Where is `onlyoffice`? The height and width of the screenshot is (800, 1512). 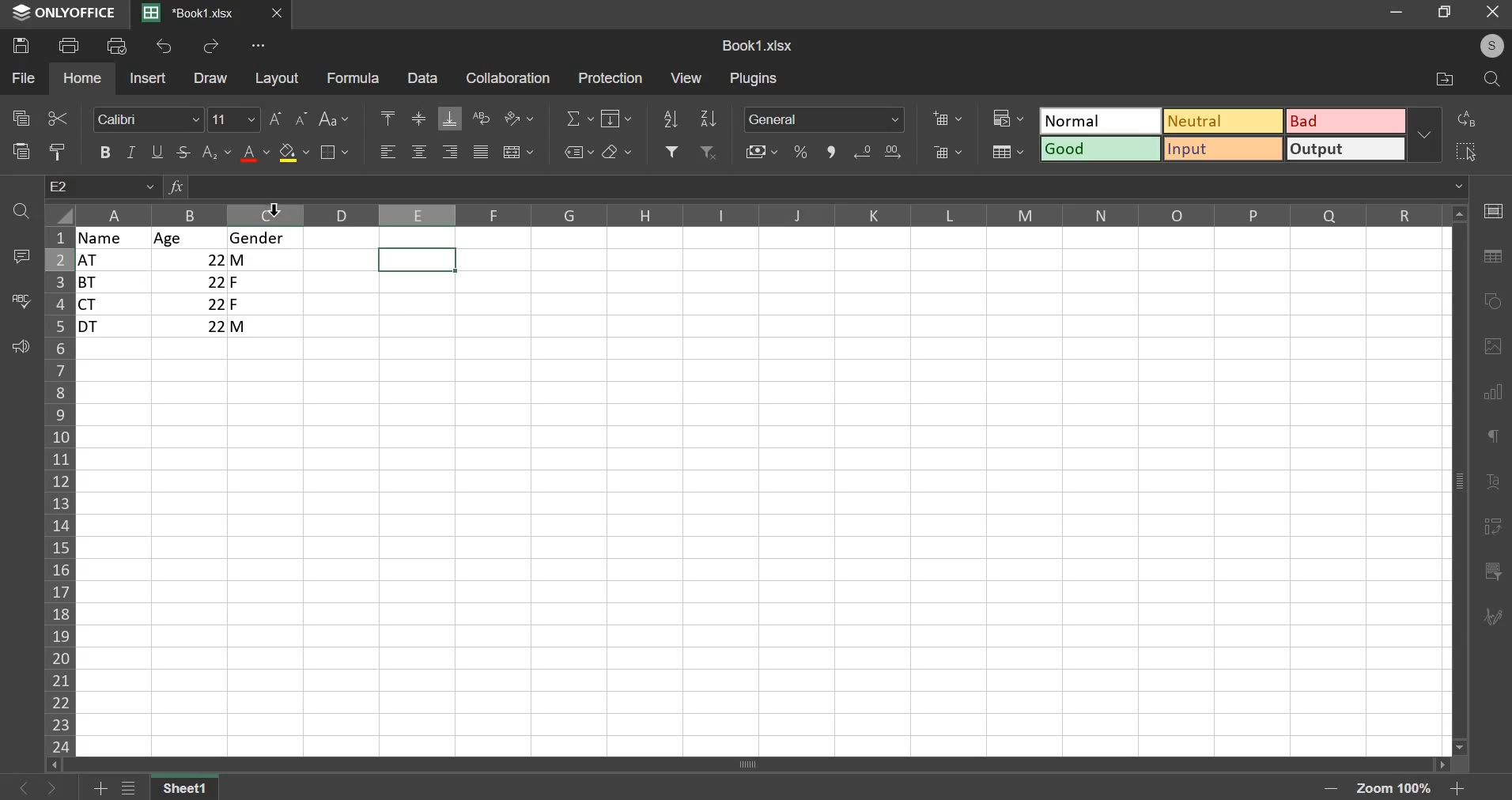 onlyoffice is located at coordinates (65, 14).